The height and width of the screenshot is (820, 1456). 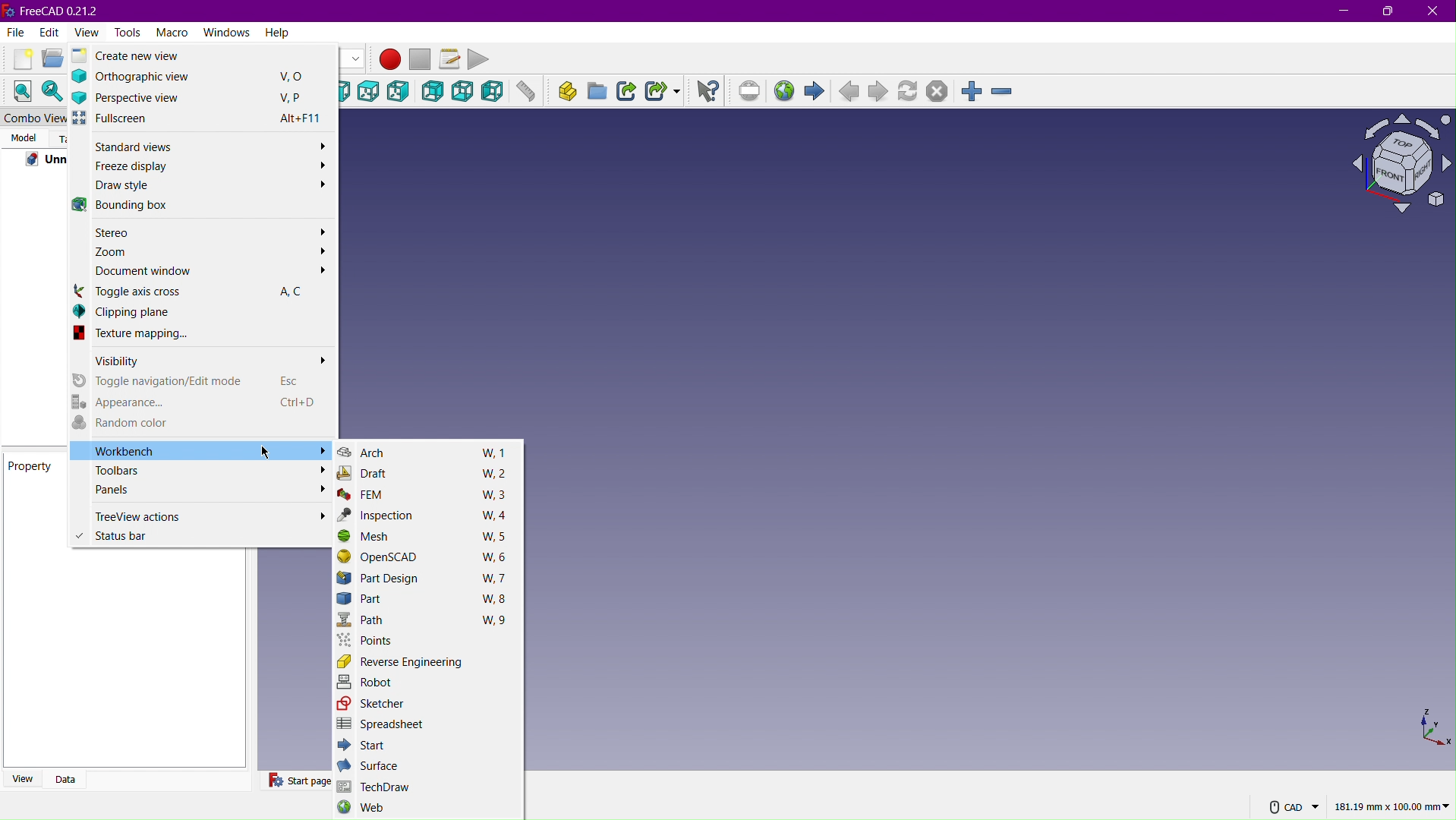 I want to click on Zoom In, so click(x=972, y=91).